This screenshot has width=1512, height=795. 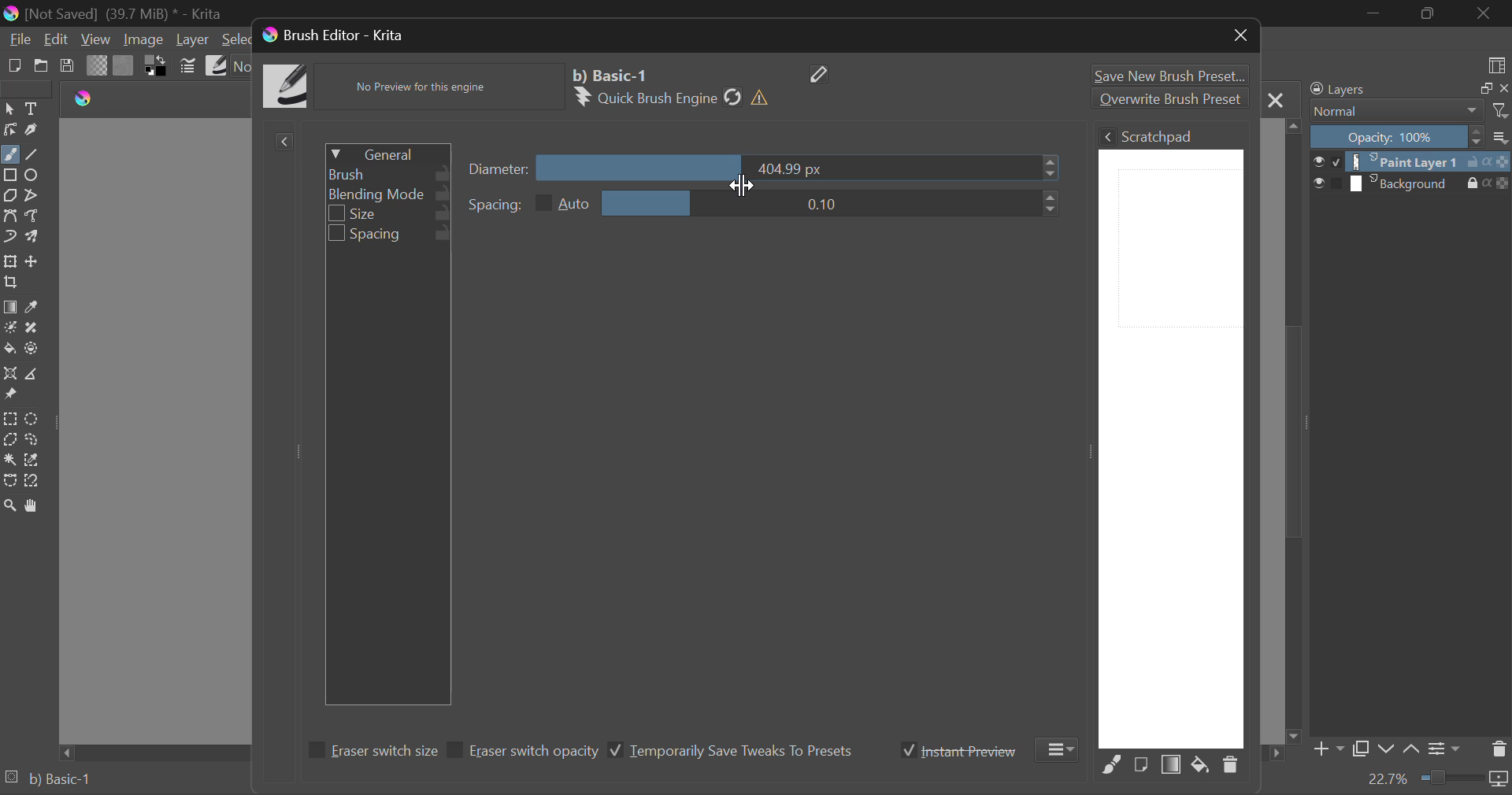 What do you see at coordinates (157, 65) in the screenshot?
I see `Colors in Use` at bounding box center [157, 65].